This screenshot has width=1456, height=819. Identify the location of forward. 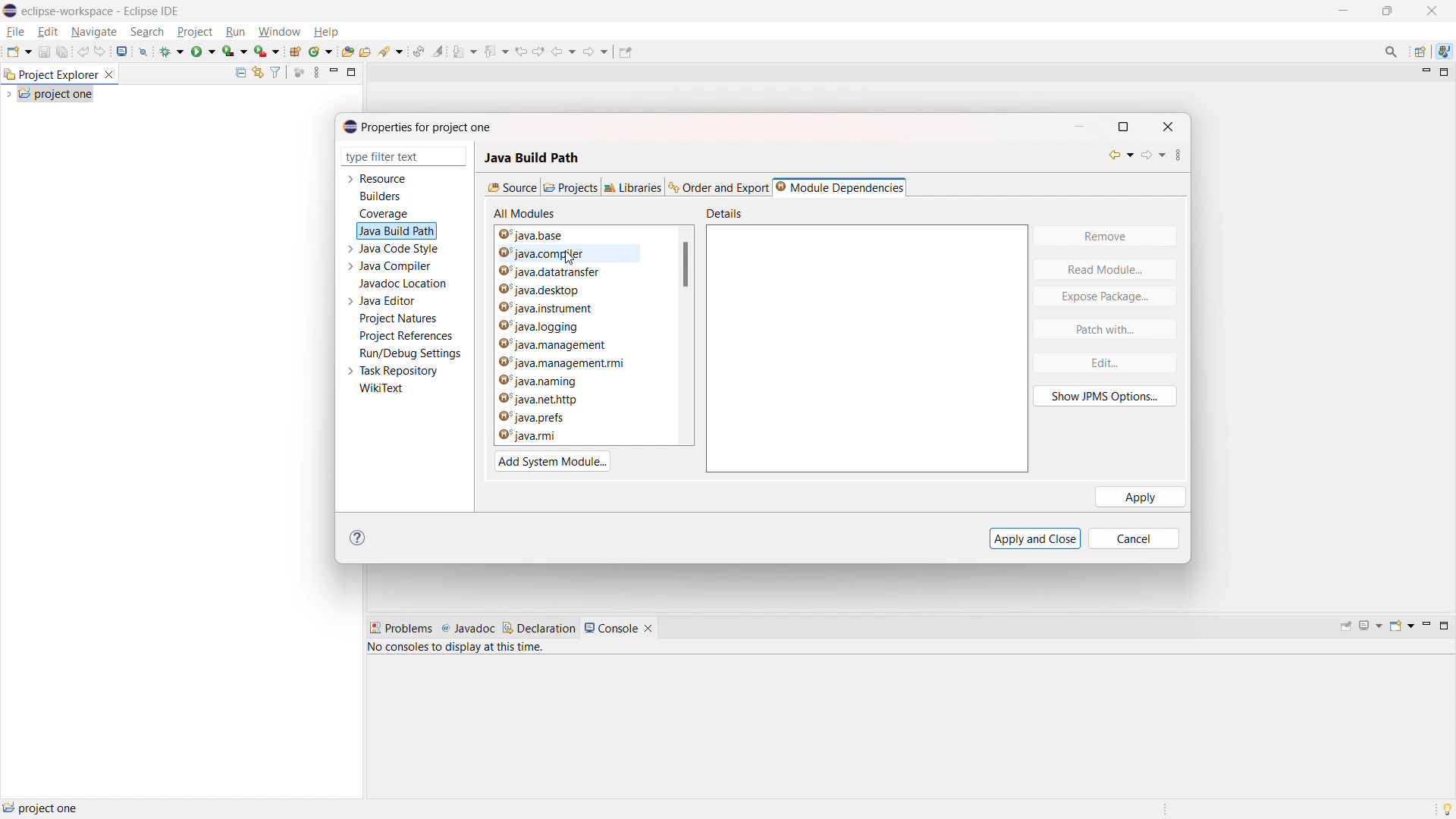
(597, 51).